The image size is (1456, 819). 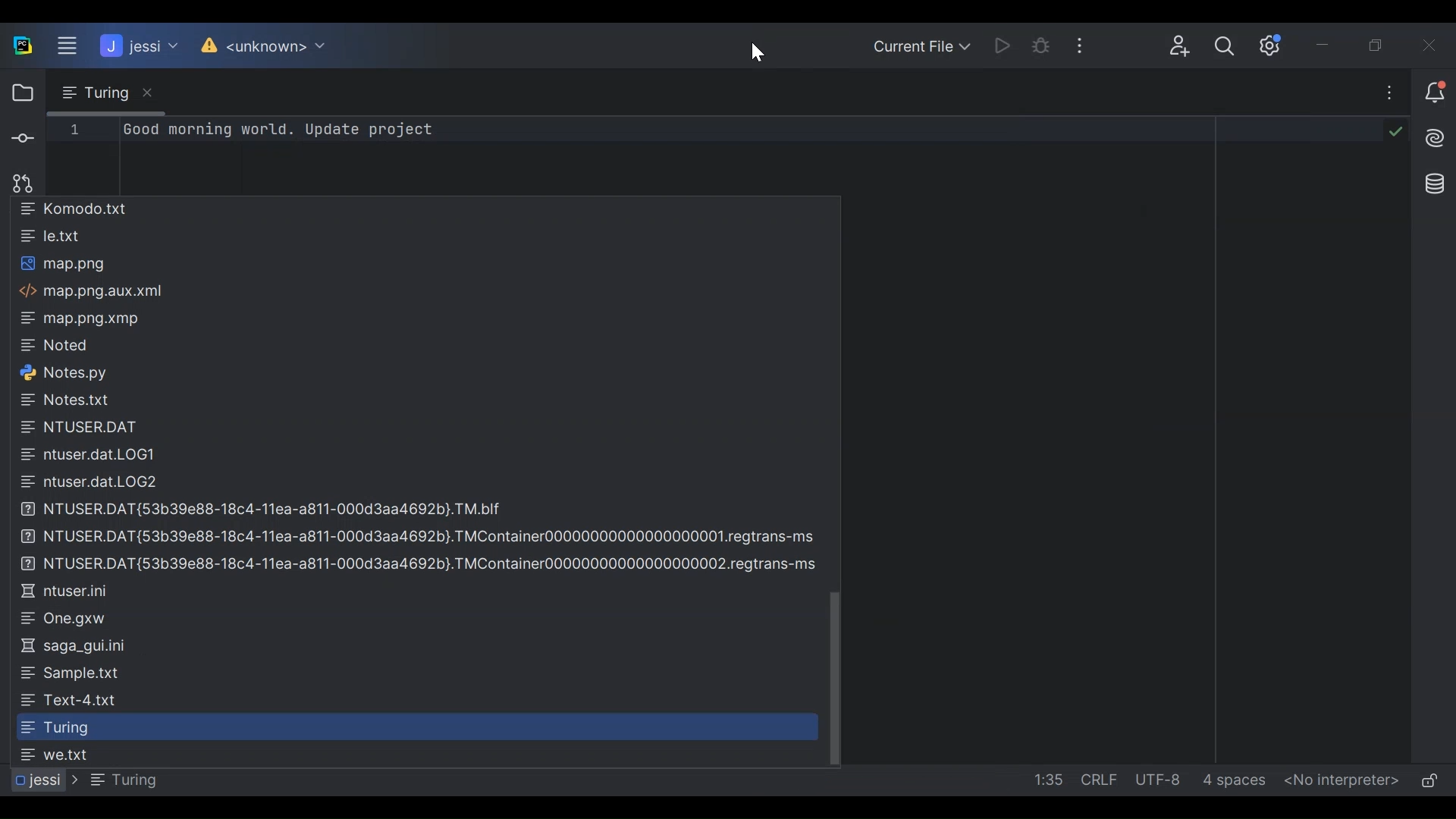 I want to click on PyCharm Desktop Icon, so click(x=21, y=45).